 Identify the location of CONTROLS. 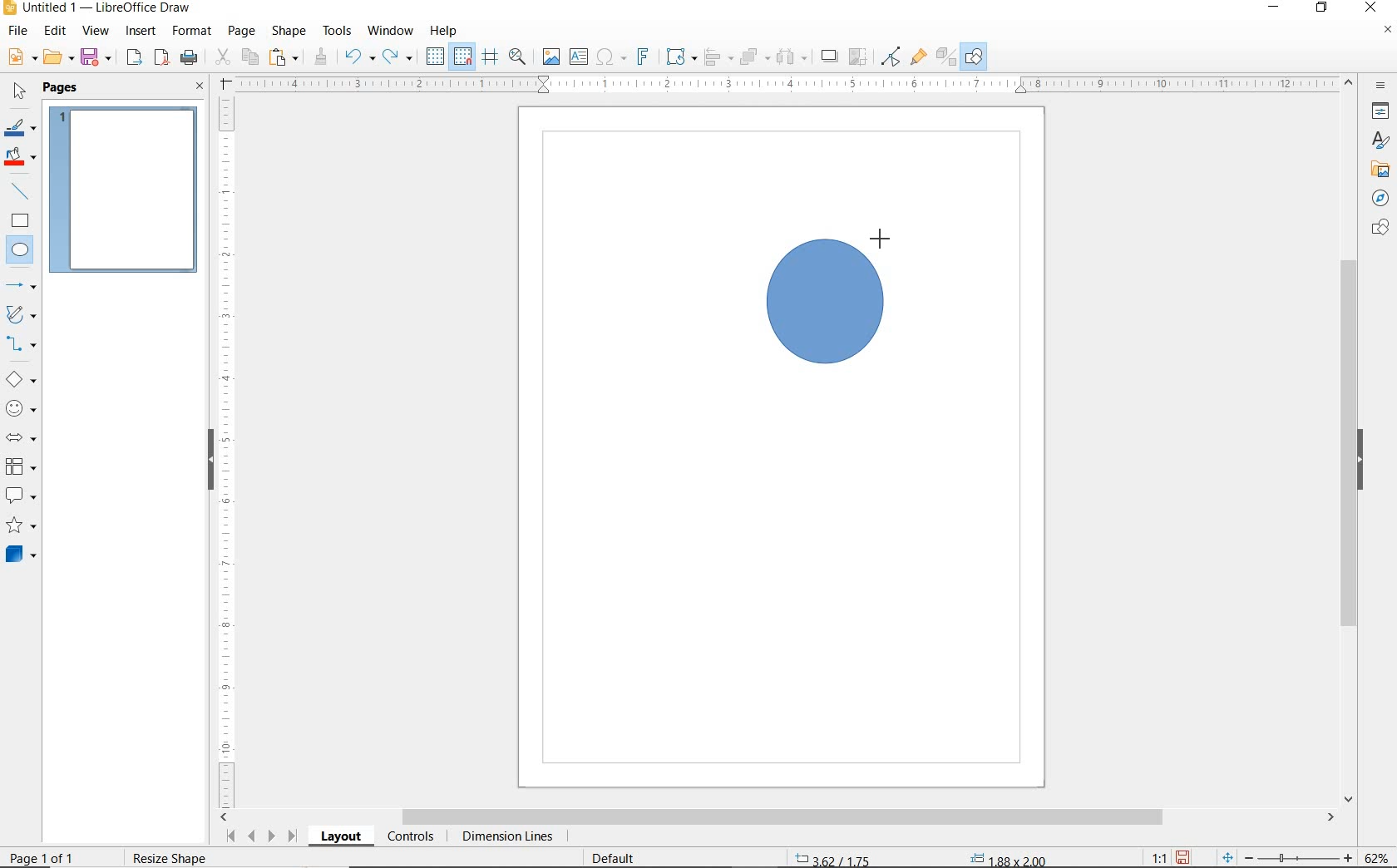
(412, 838).